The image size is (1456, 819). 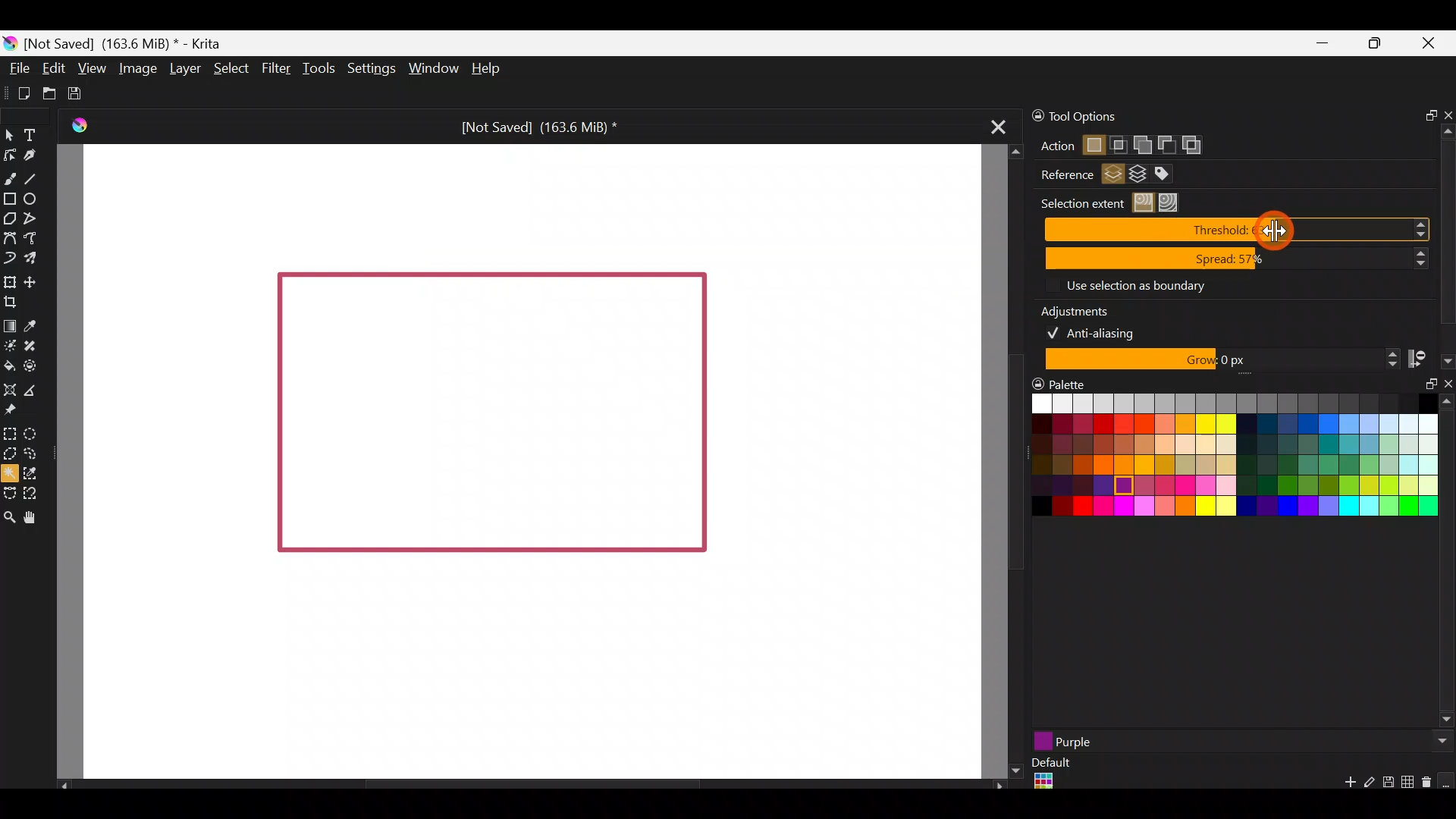 What do you see at coordinates (1447, 563) in the screenshot?
I see `Scroll bar` at bounding box center [1447, 563].